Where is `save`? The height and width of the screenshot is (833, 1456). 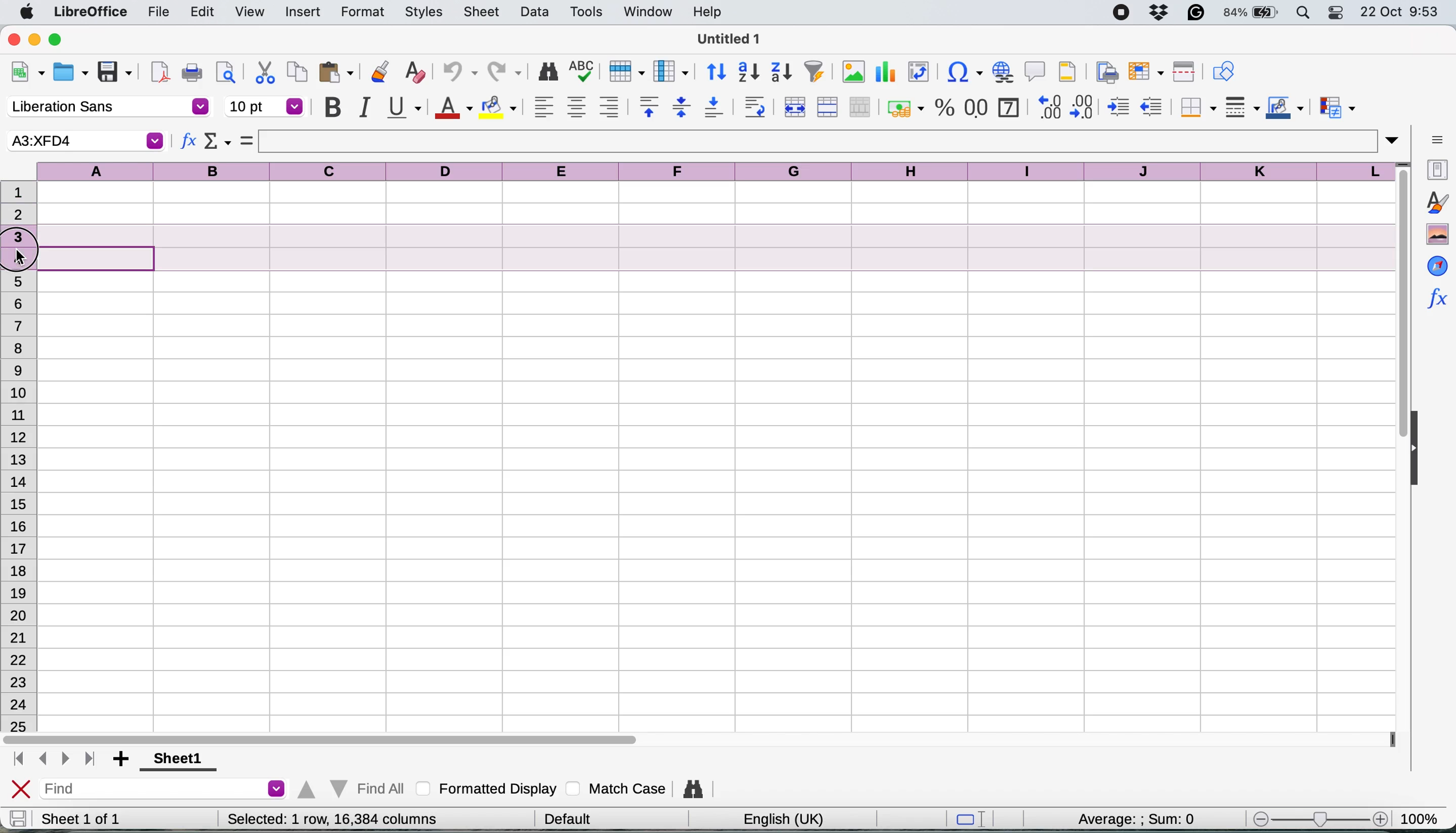 save is located at coordinates (18, 818).